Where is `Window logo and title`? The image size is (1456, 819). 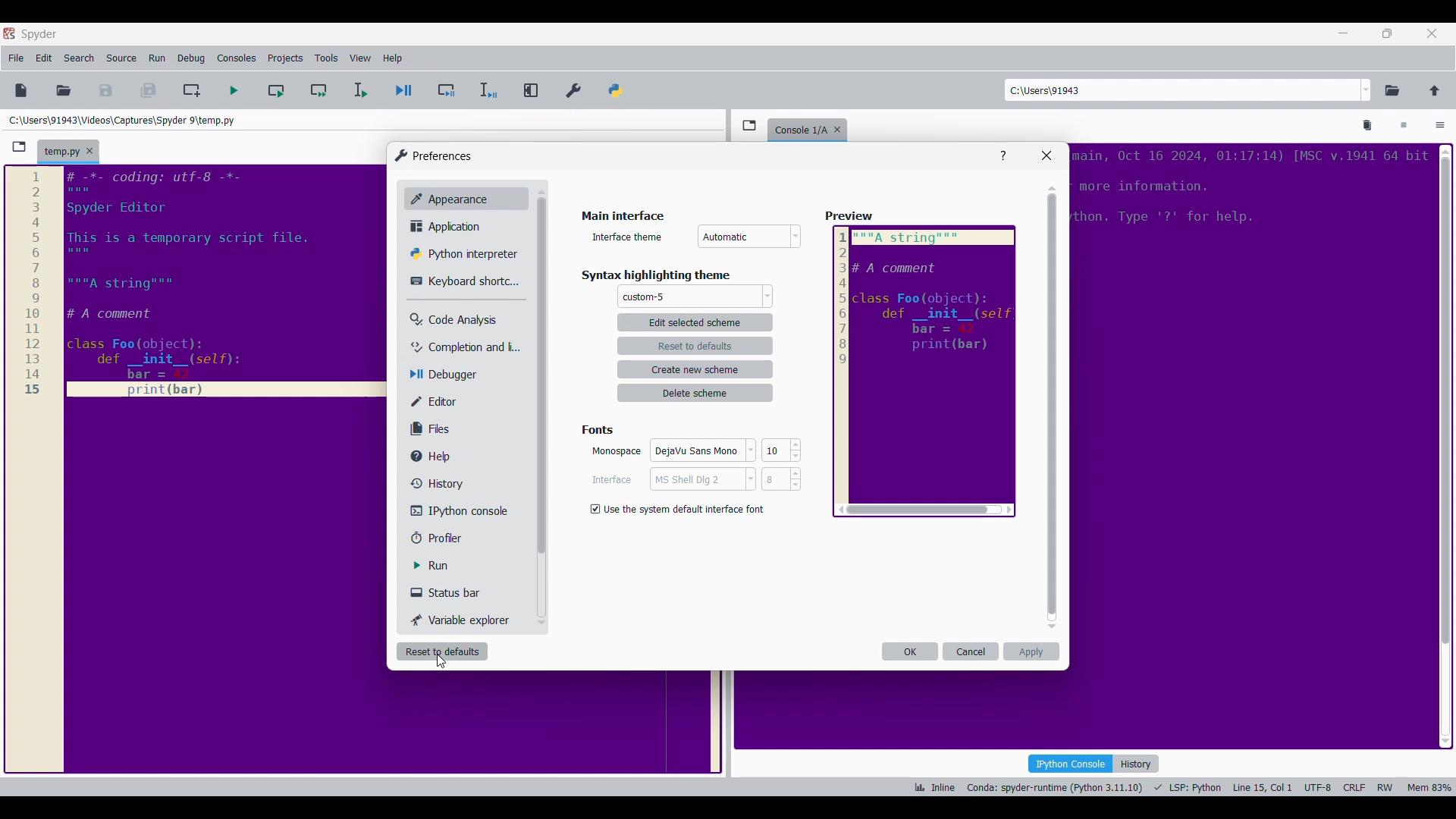
Window logo and title is located at coordinates (434, 155).